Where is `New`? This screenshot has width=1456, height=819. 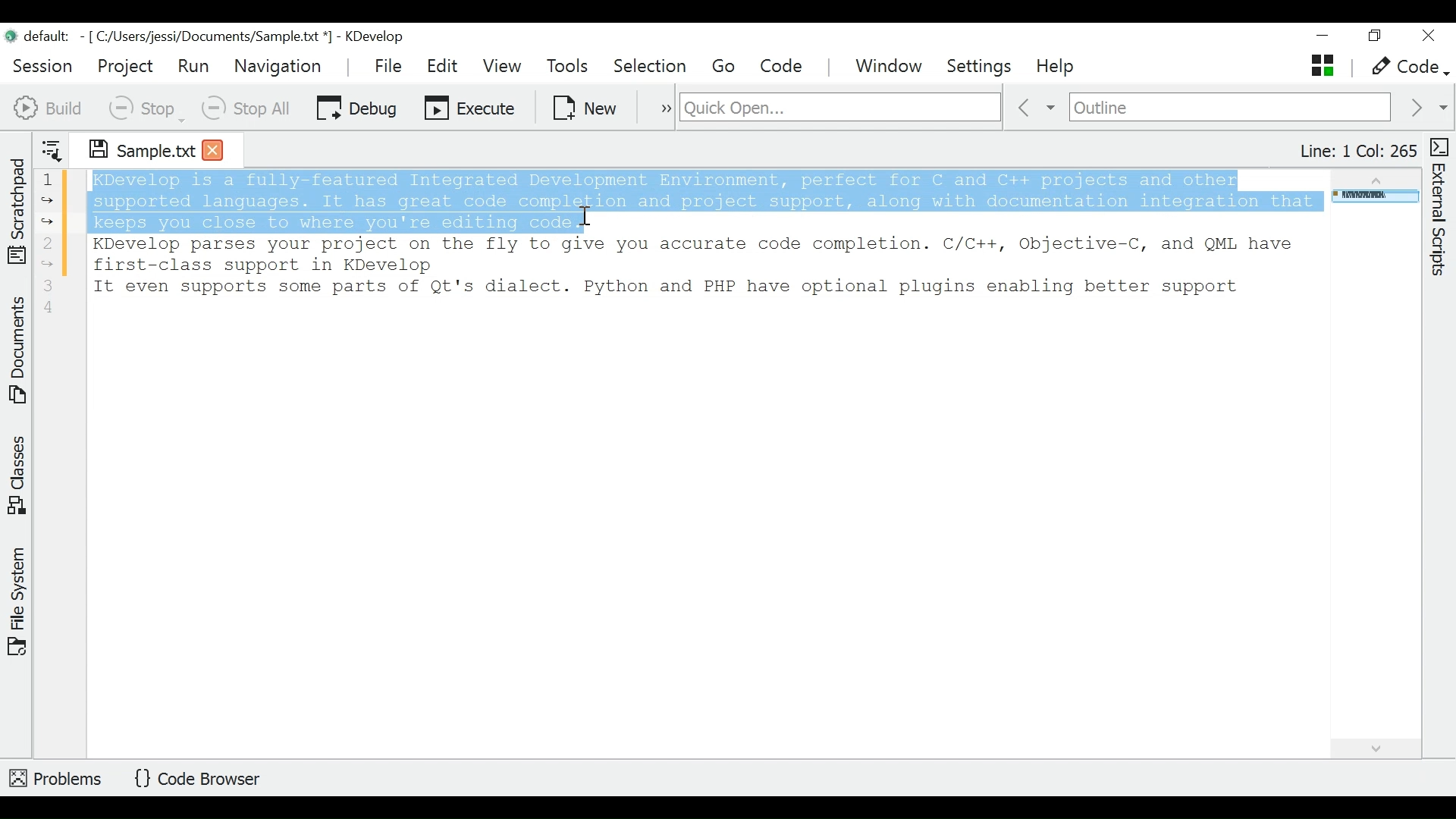 New is located at coordinates (586, 106).